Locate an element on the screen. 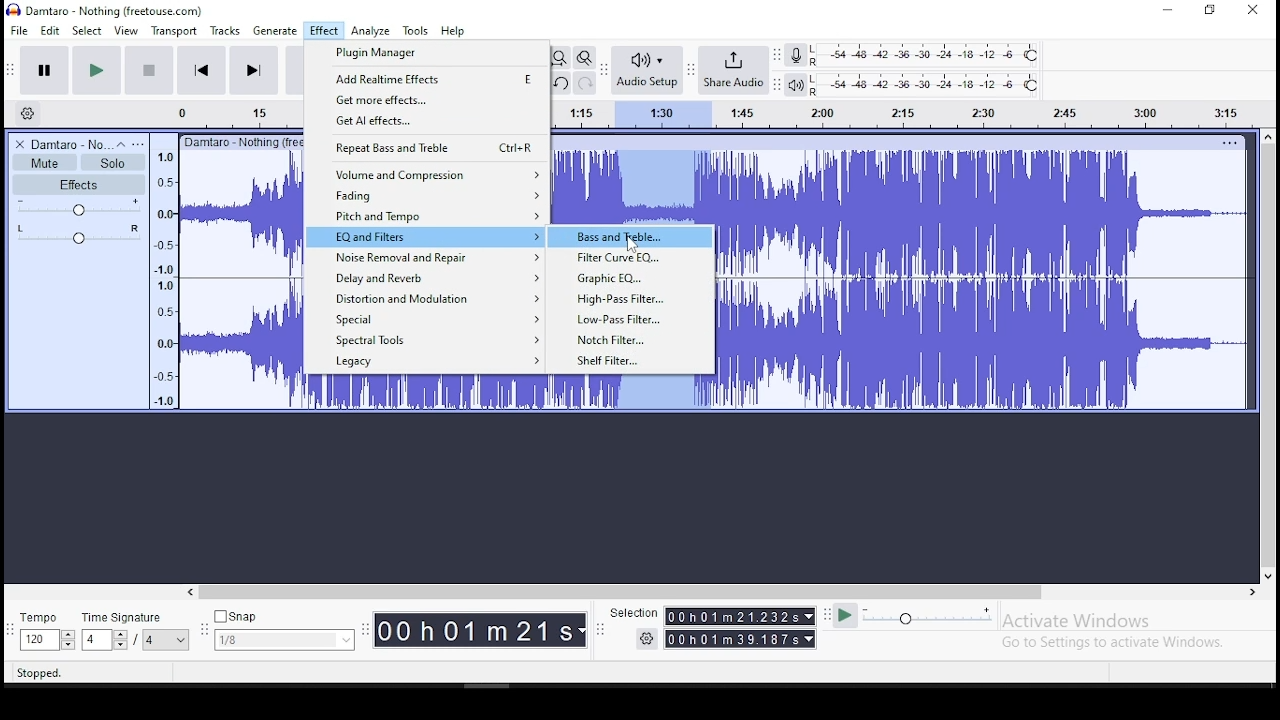  Get more effects is located at coordinates (427, 100).